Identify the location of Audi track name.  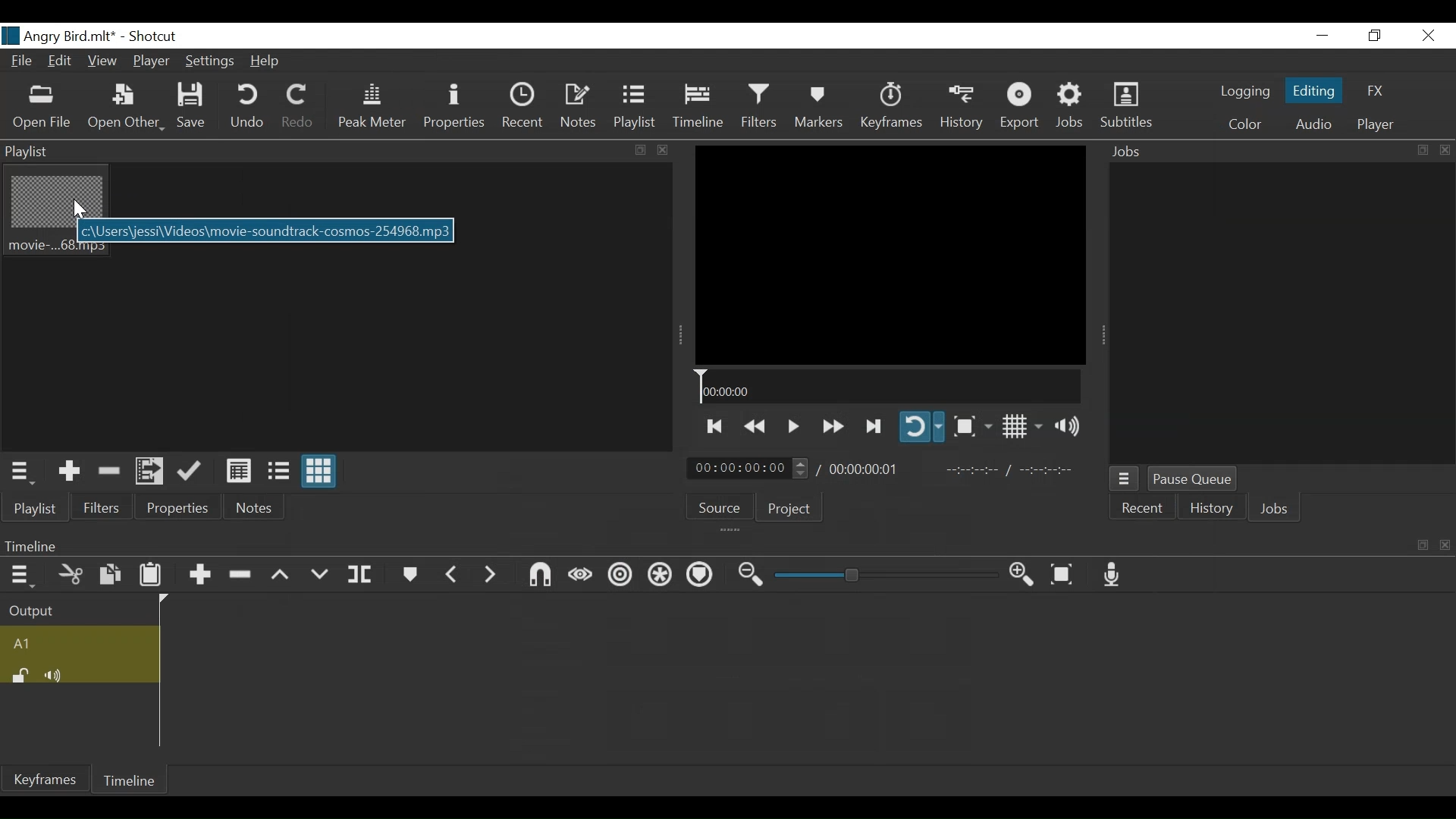
(77, 642).